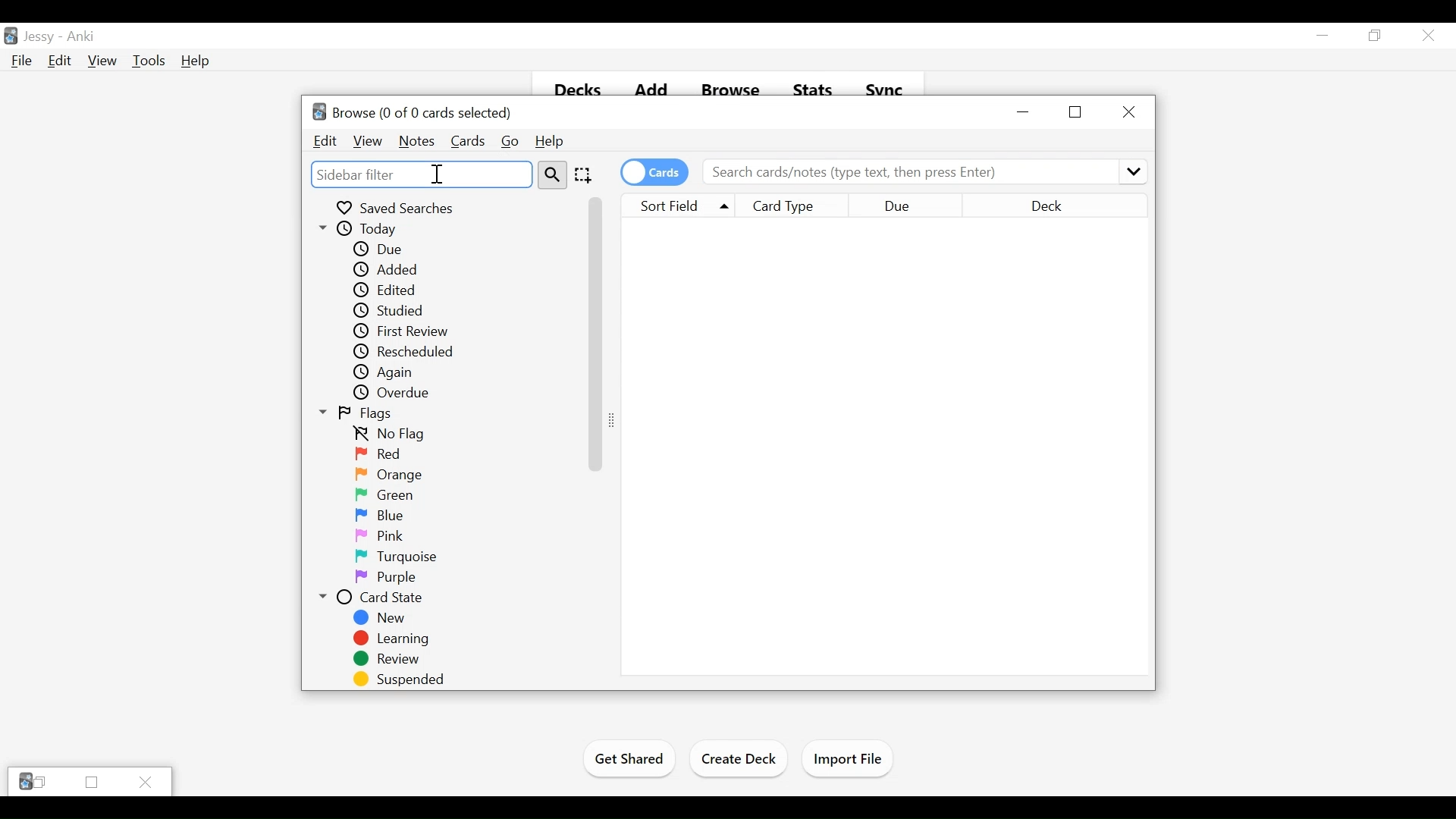  I want to click on minimize, so click(1323, 35).